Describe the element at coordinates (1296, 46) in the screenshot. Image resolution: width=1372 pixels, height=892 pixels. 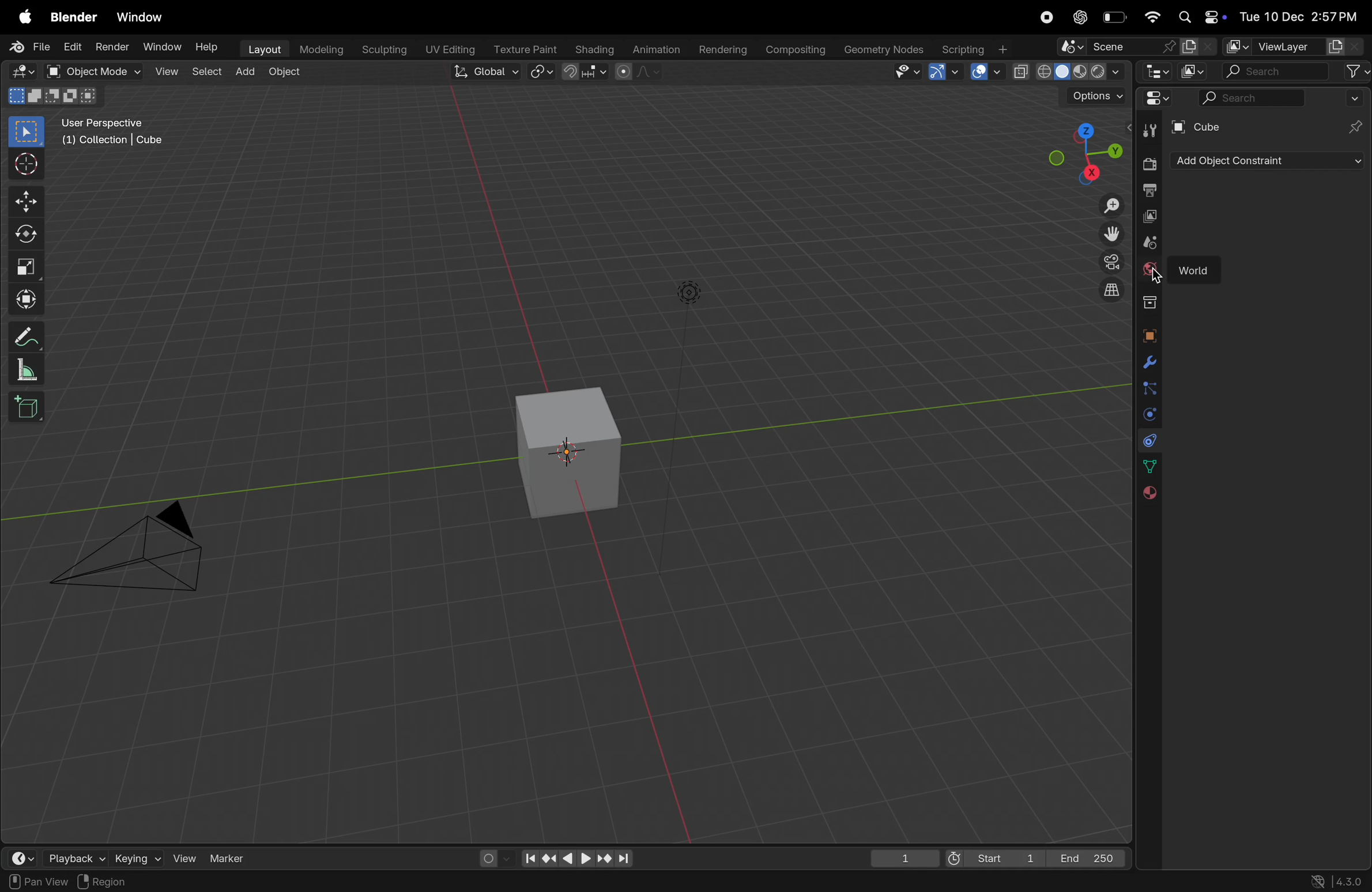
I see `View layer` at that location.